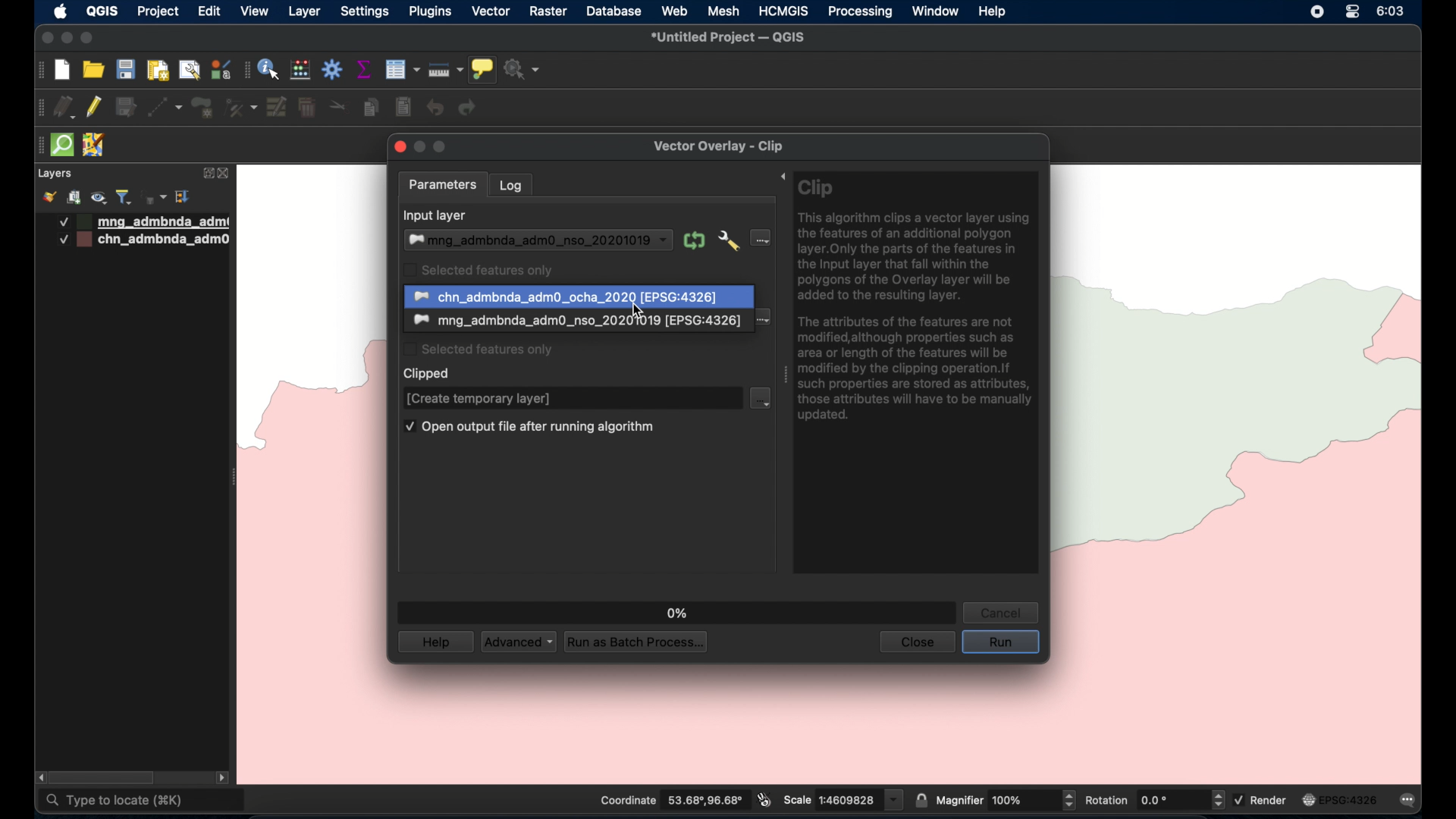  What do you see at coordinates (301, 71) in the screenshot?
I see `open field calculator` at bounding box center [301, 71].